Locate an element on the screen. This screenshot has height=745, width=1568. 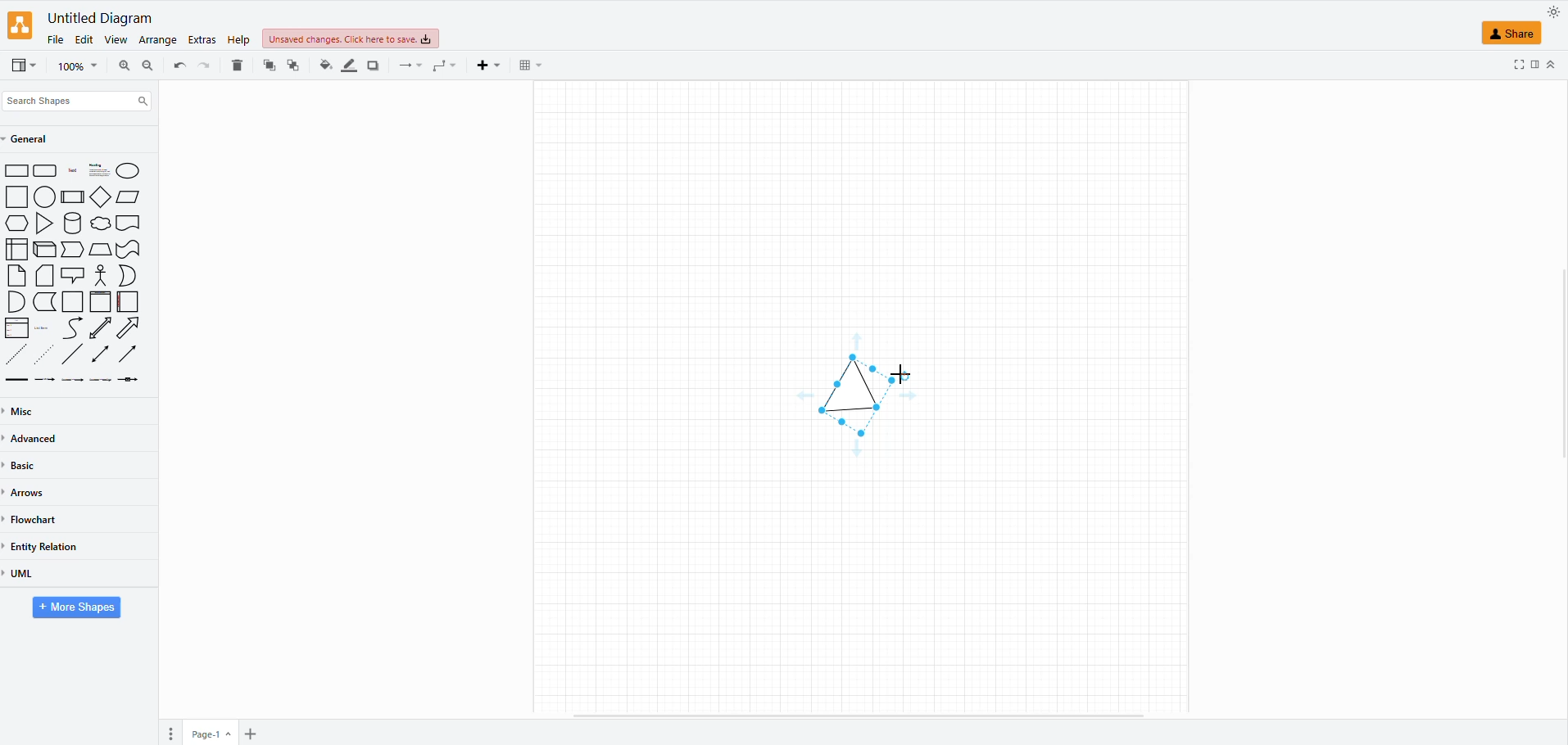
Curved Arrow is located at coordinates (72, 328).